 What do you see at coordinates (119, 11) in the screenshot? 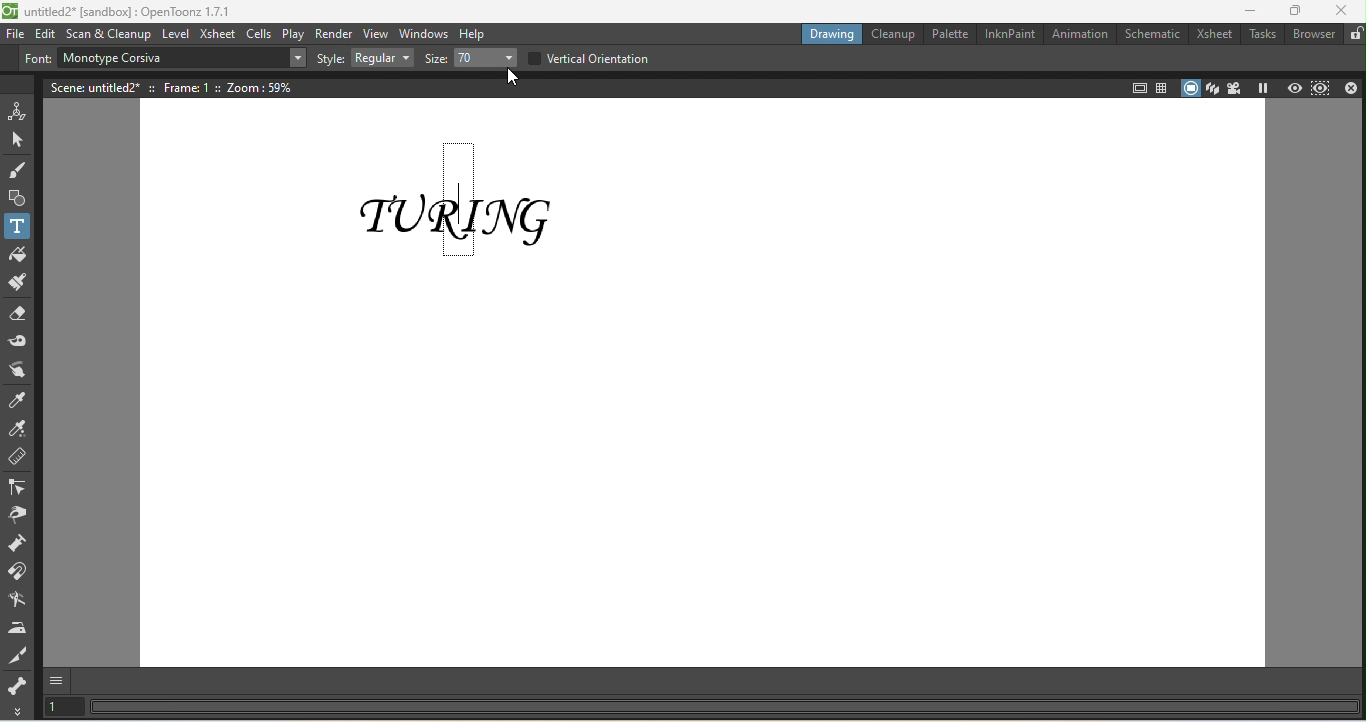
I see `File name` at bounding box center [119, 11].